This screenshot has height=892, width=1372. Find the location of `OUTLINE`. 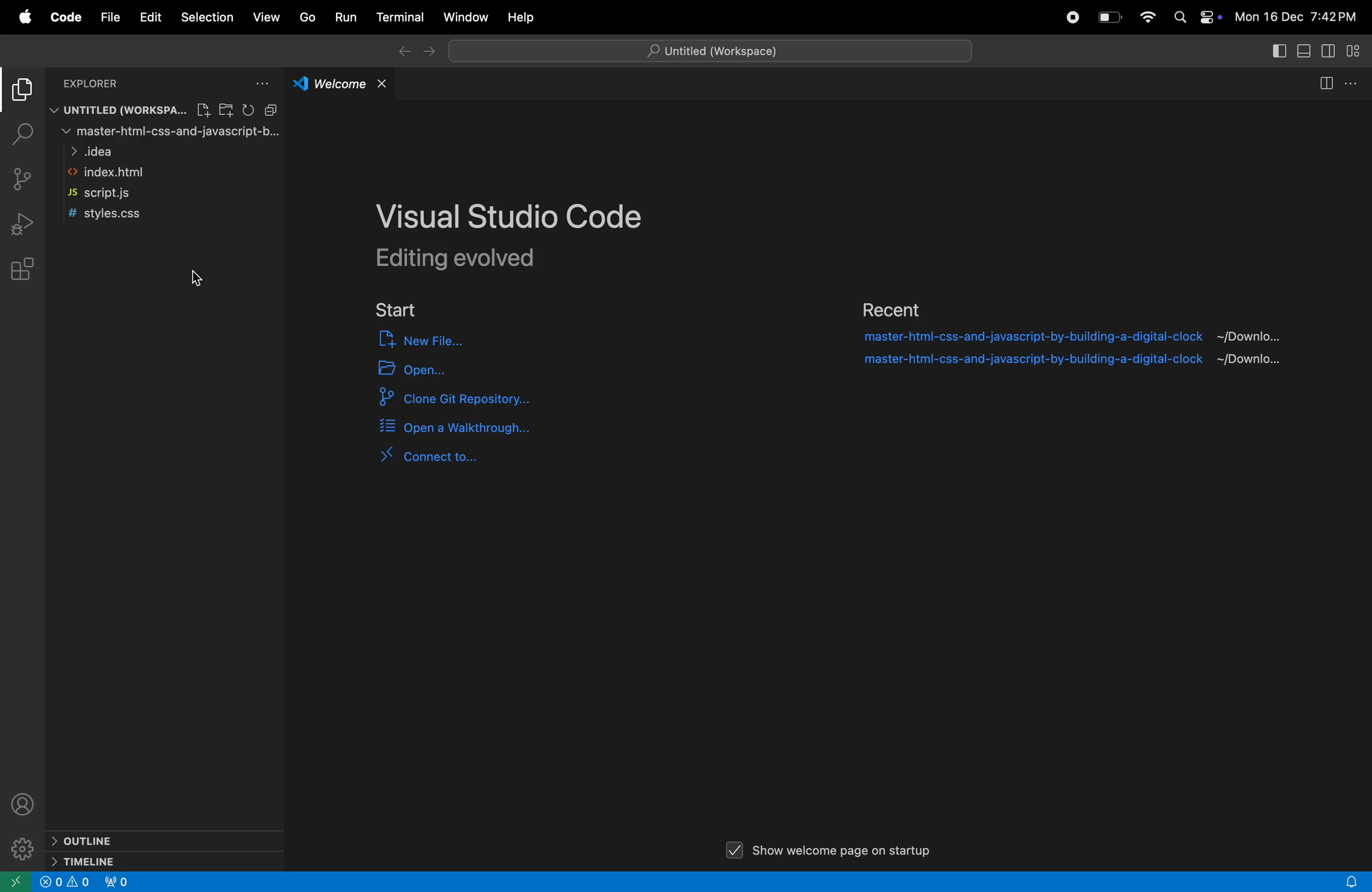

OUTLINE is located at coordinates (89, 840).